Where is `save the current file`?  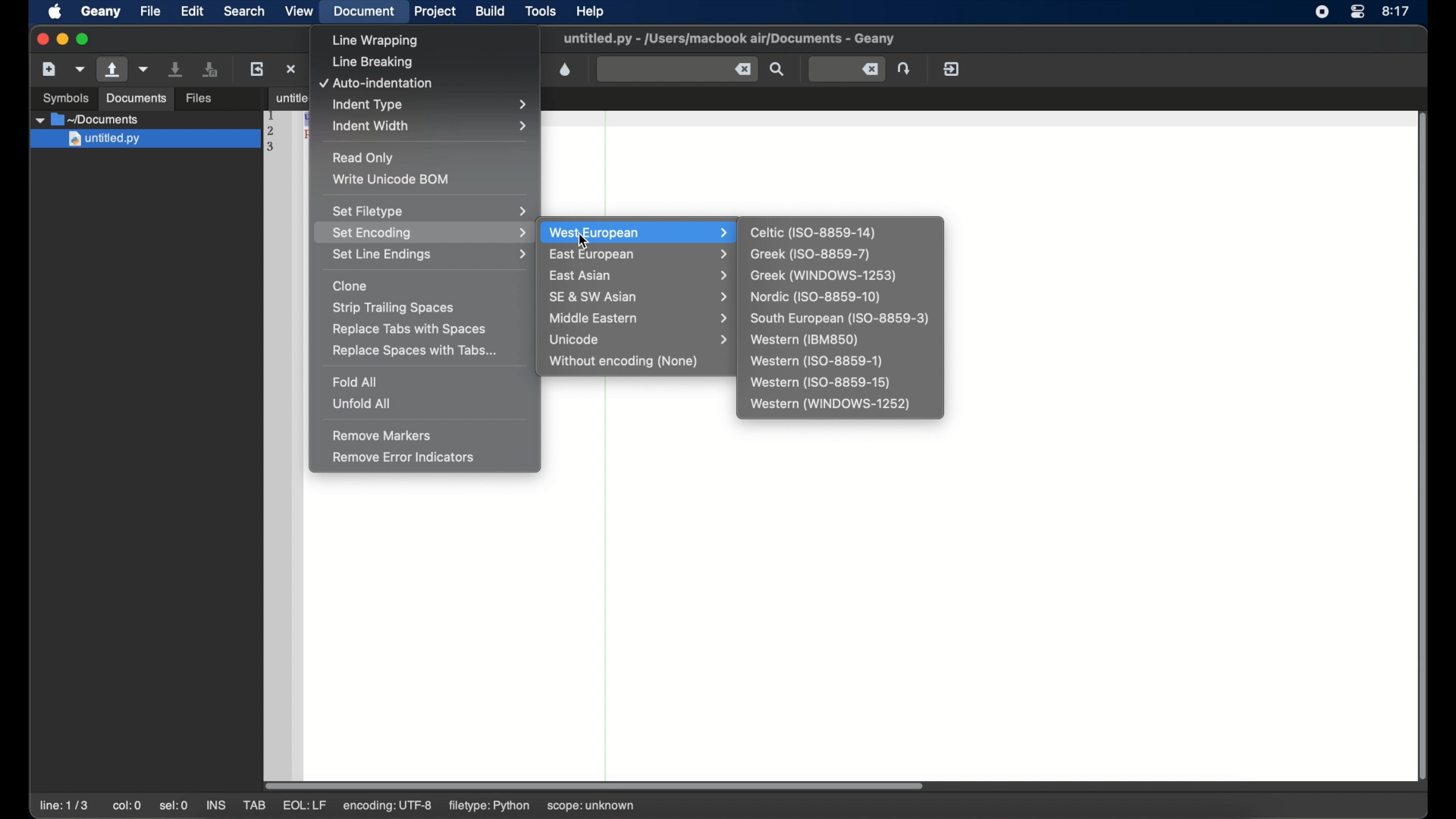 save the current file is located at coordinates (176, 69).